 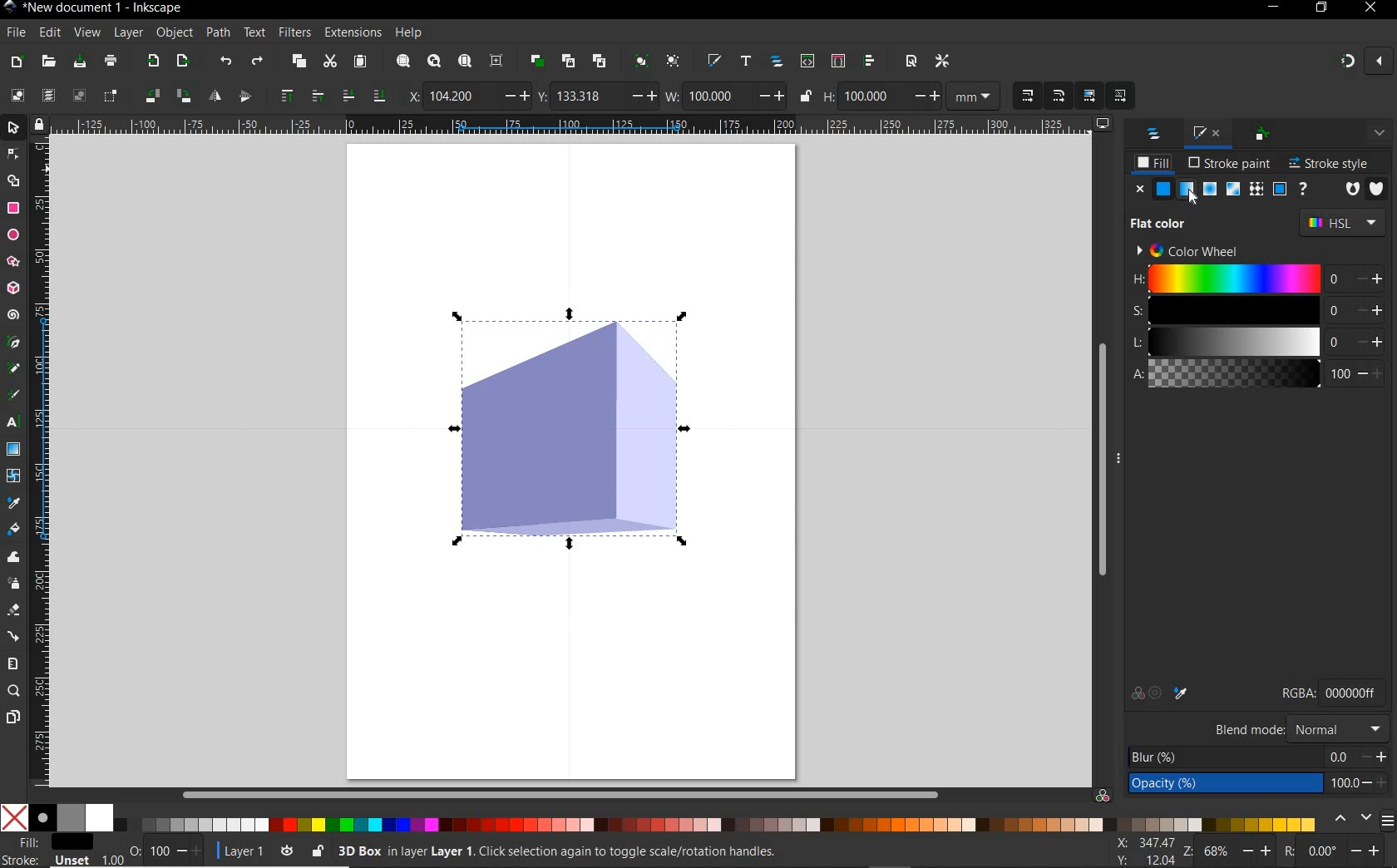 What do you see at coordinates (1341, 222) in the screenshot?
I see `CHOOSE STYLE OF COLOR SELECTION` at bounding box center [1341, 222].